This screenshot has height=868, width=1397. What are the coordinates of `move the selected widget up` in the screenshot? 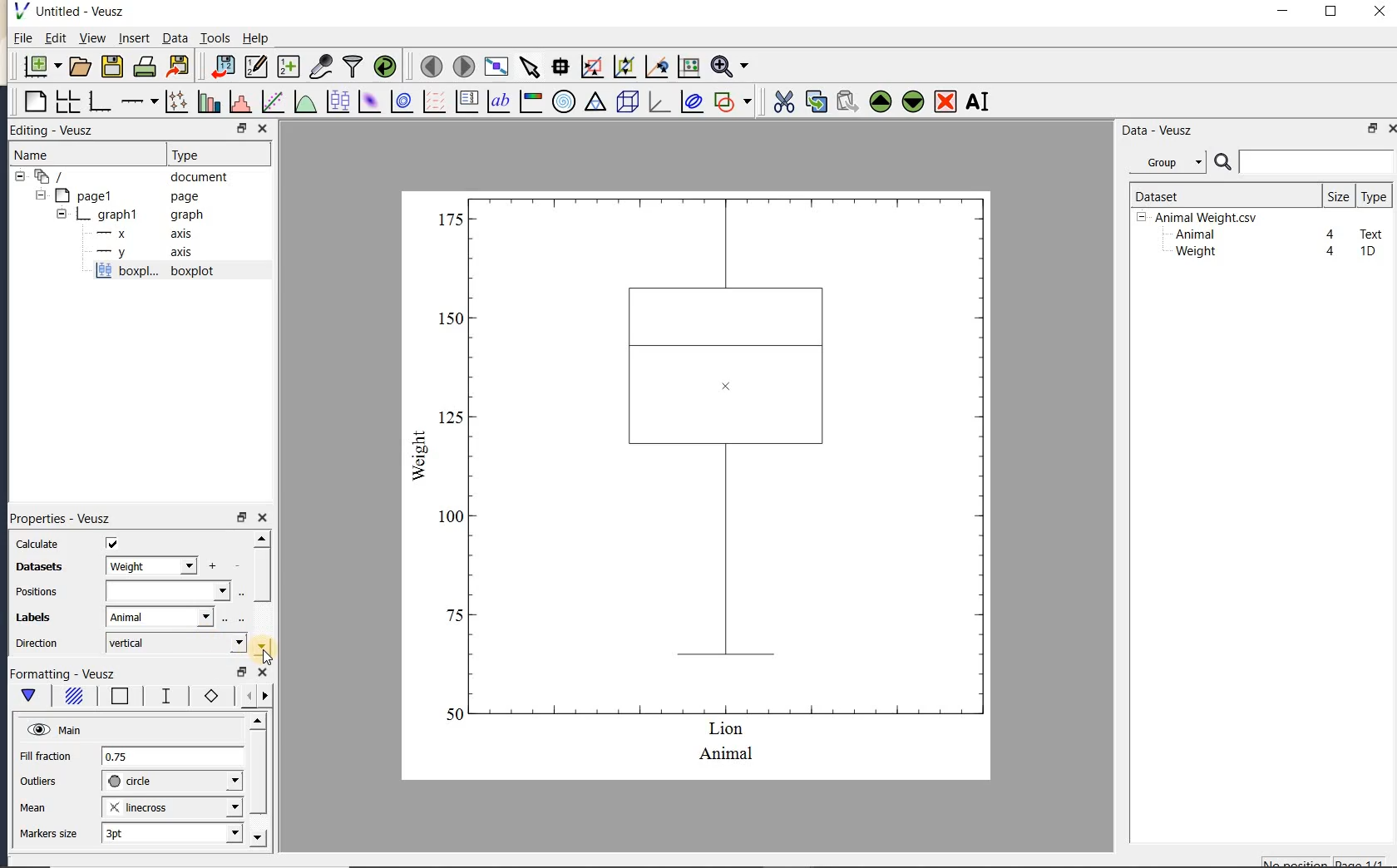 It's located at (881, 102).